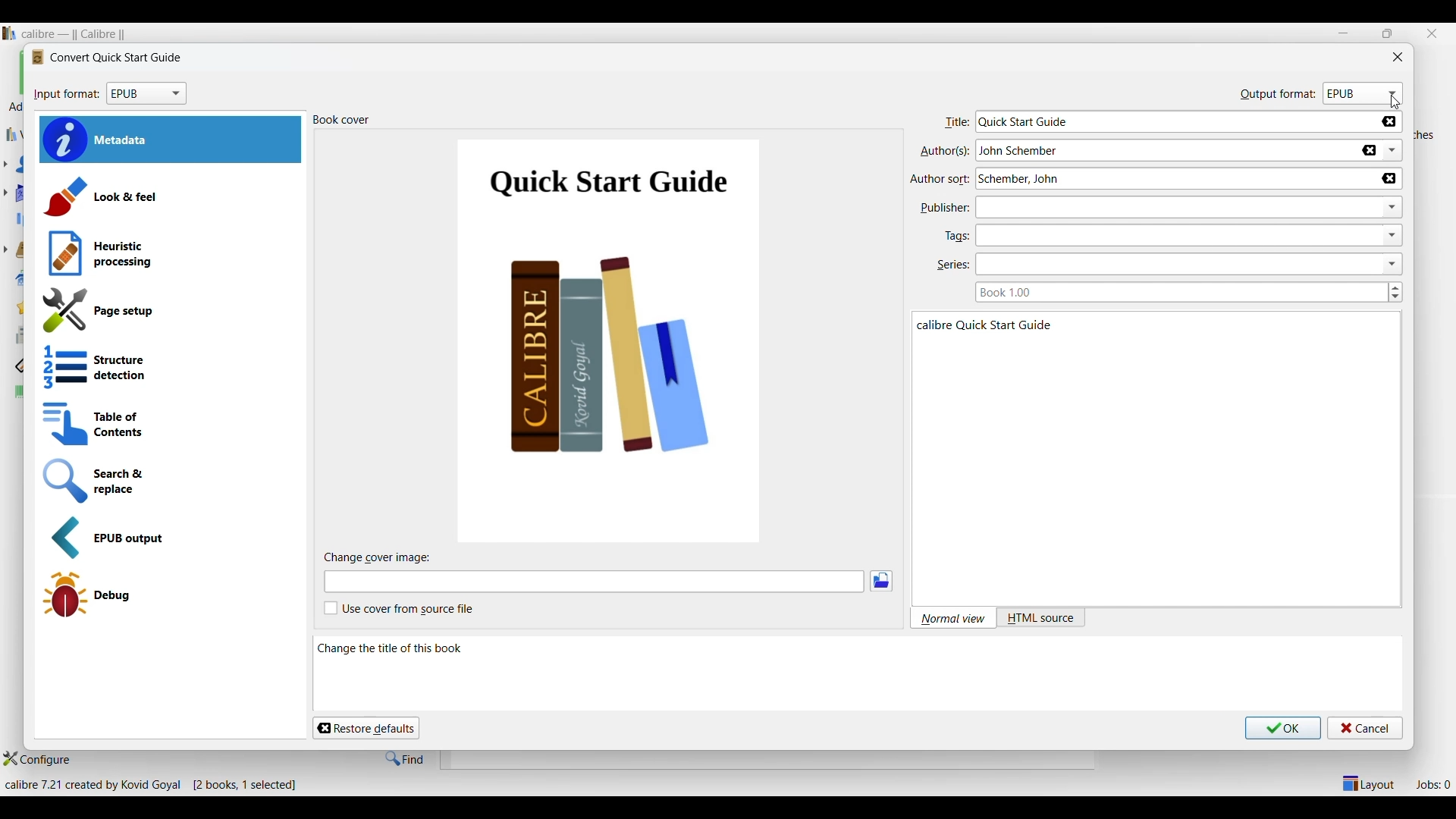 Image resolution: width=1456 pixels, height=819 pixels. What do you see at coordinates (1177, 235) in the screenshot?
I see `Type in tags` at bounding box center [1177, 235].